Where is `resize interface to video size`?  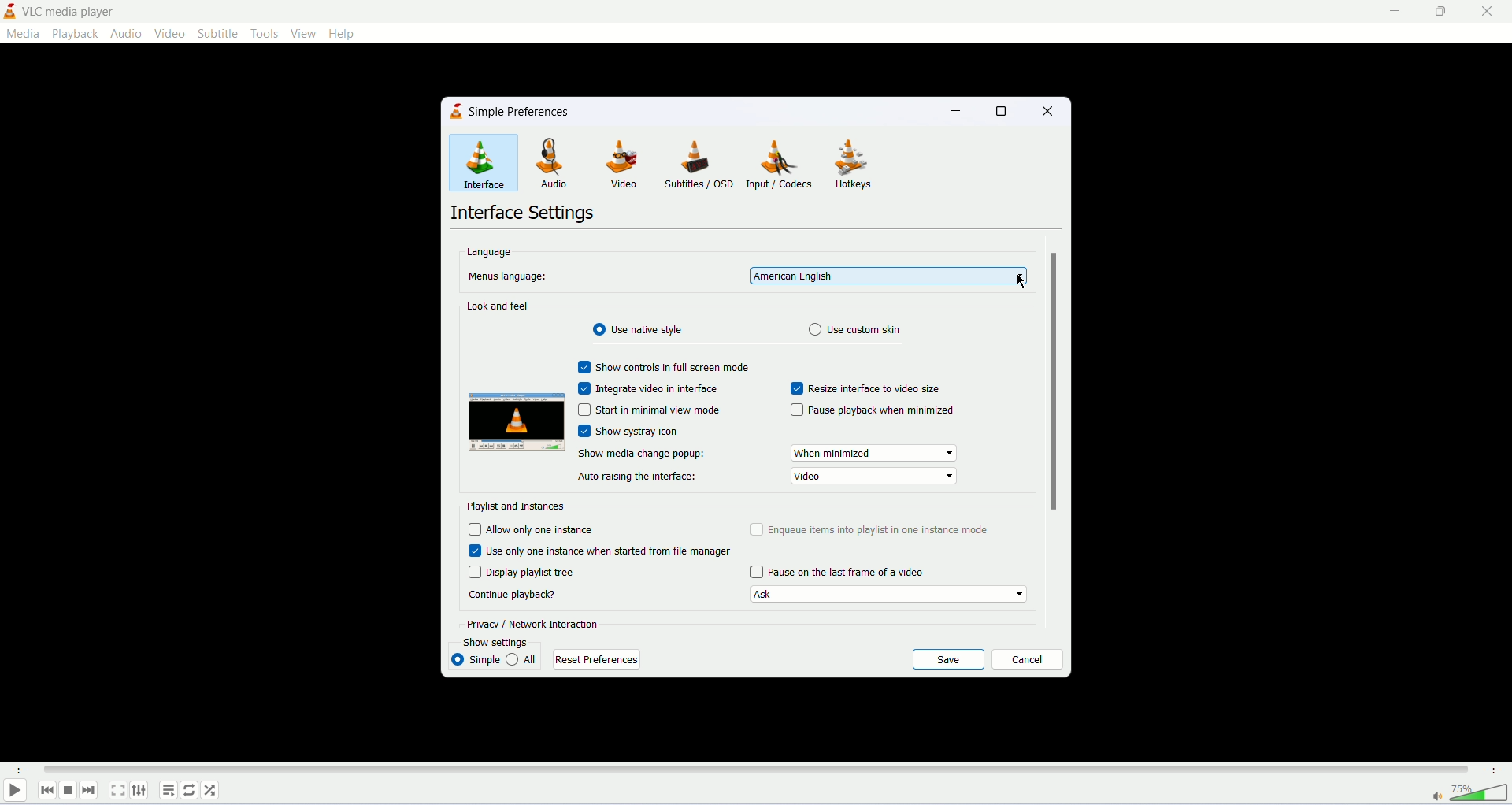 resize interface to video size is located at coordinates (865, 388).